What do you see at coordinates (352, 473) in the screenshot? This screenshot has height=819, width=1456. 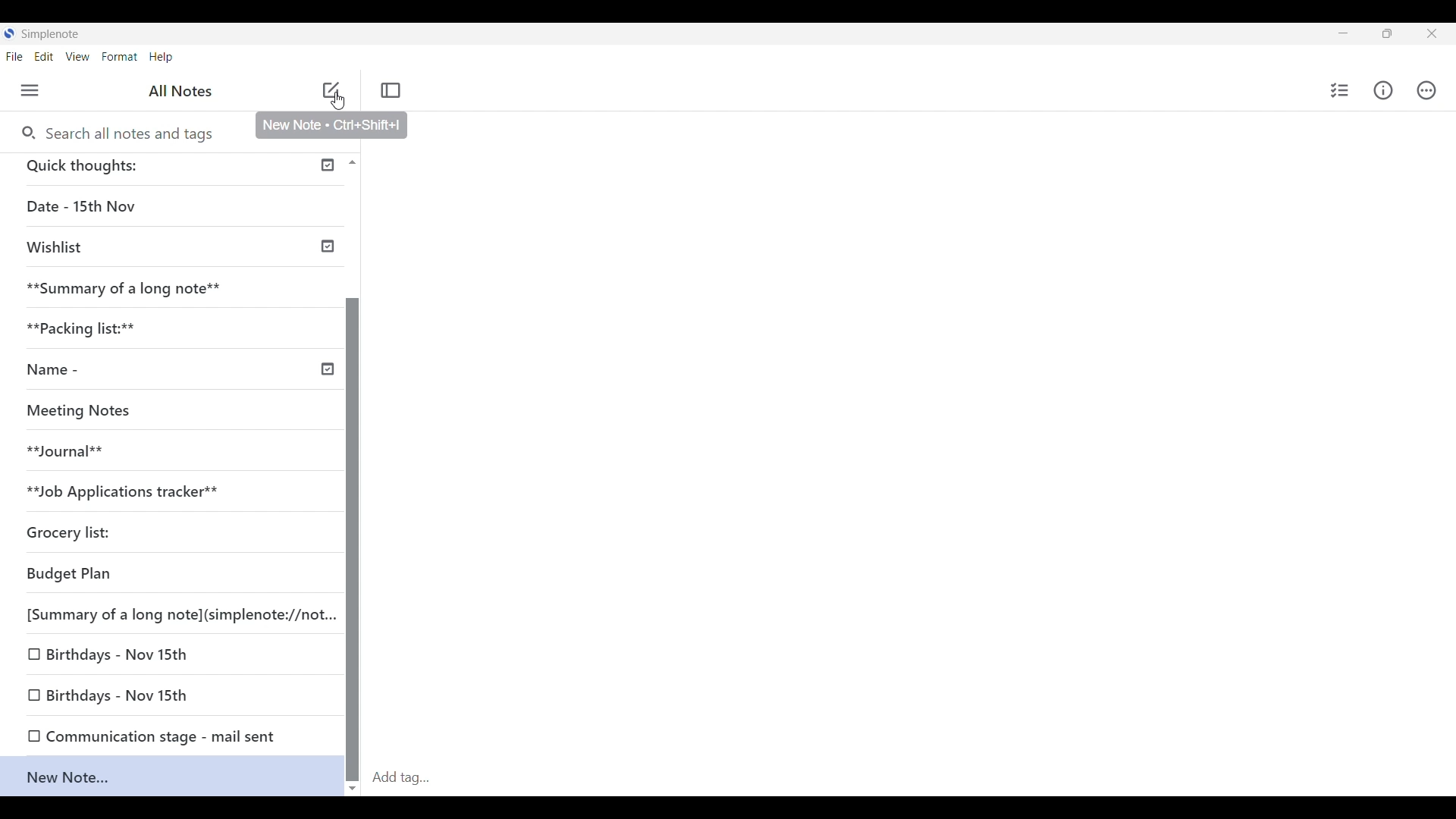 I see `Vertical scroll bar` at bounding box center [352, 473].